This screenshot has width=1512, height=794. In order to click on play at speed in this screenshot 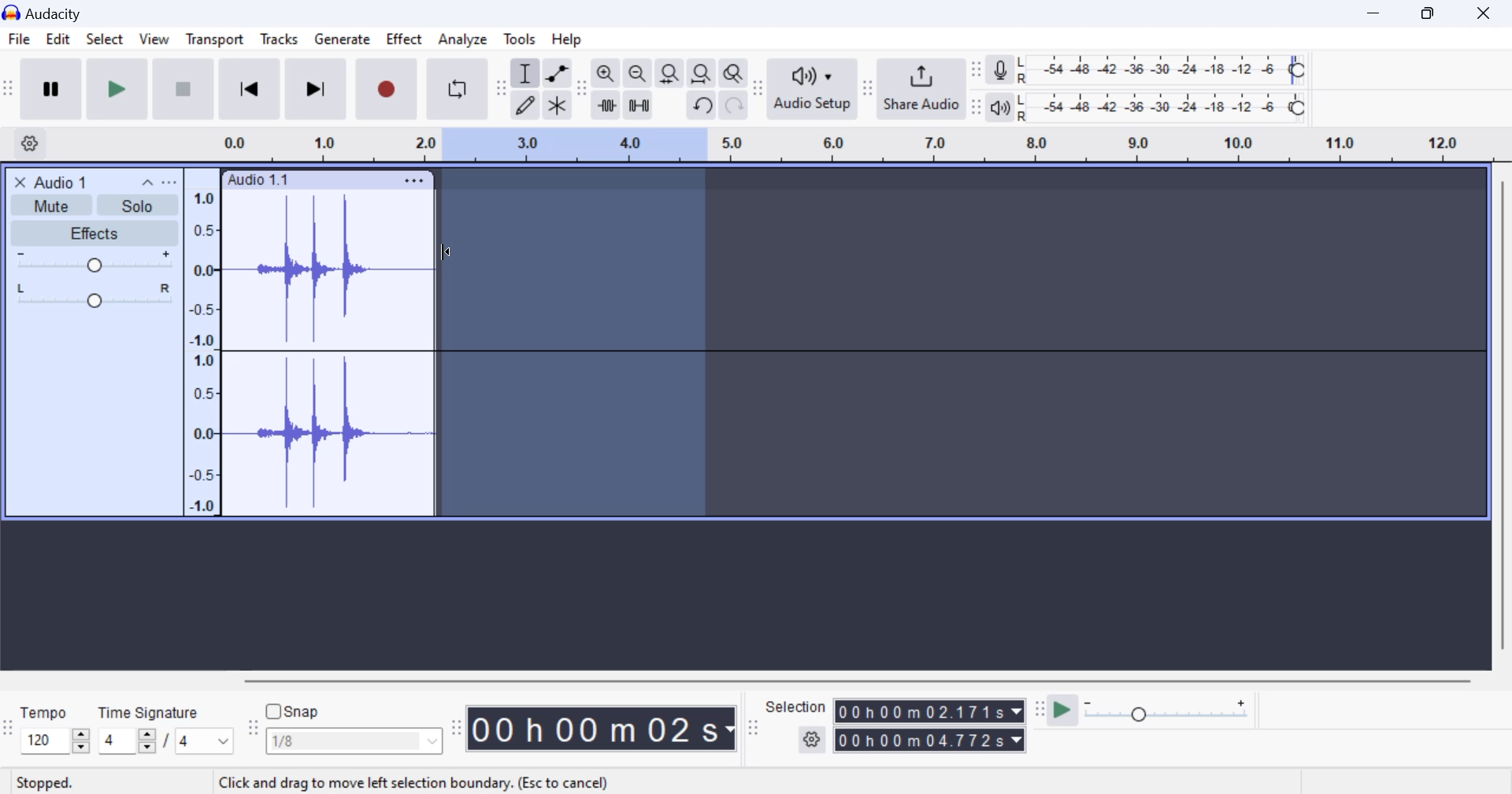, I will do `click(1062, 711)`.